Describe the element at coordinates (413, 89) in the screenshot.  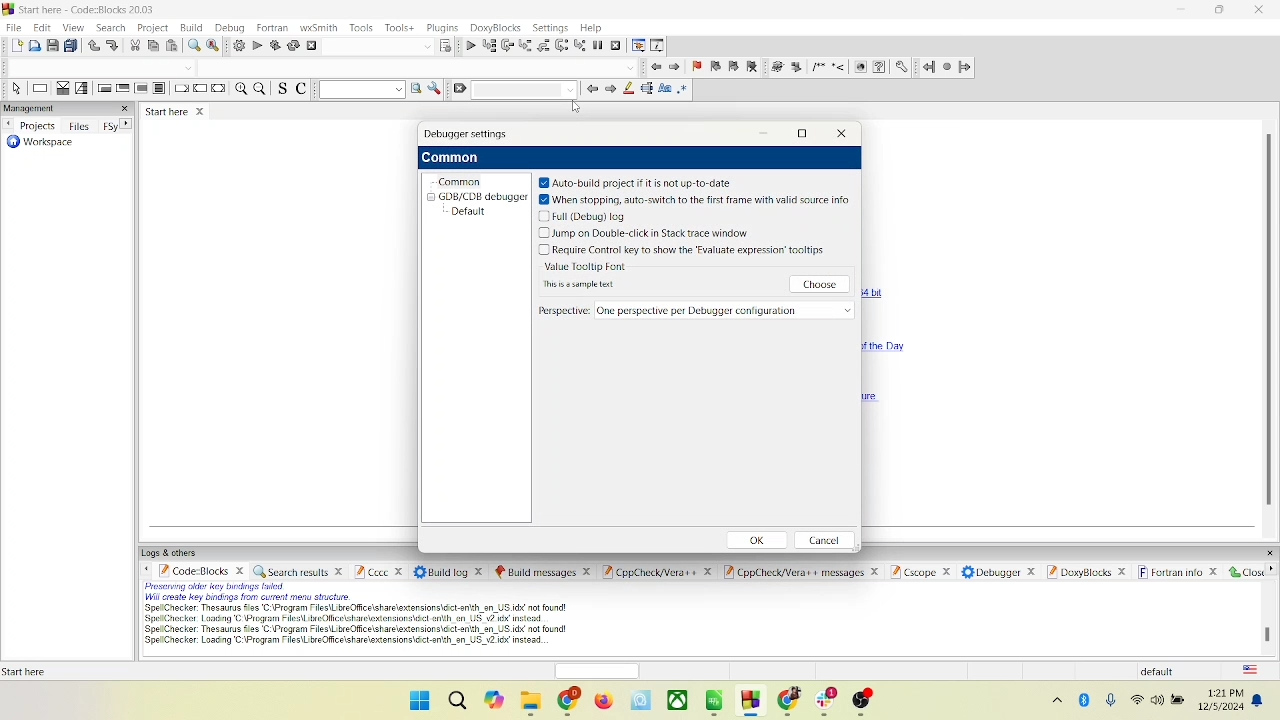
I see `run search` at that location.